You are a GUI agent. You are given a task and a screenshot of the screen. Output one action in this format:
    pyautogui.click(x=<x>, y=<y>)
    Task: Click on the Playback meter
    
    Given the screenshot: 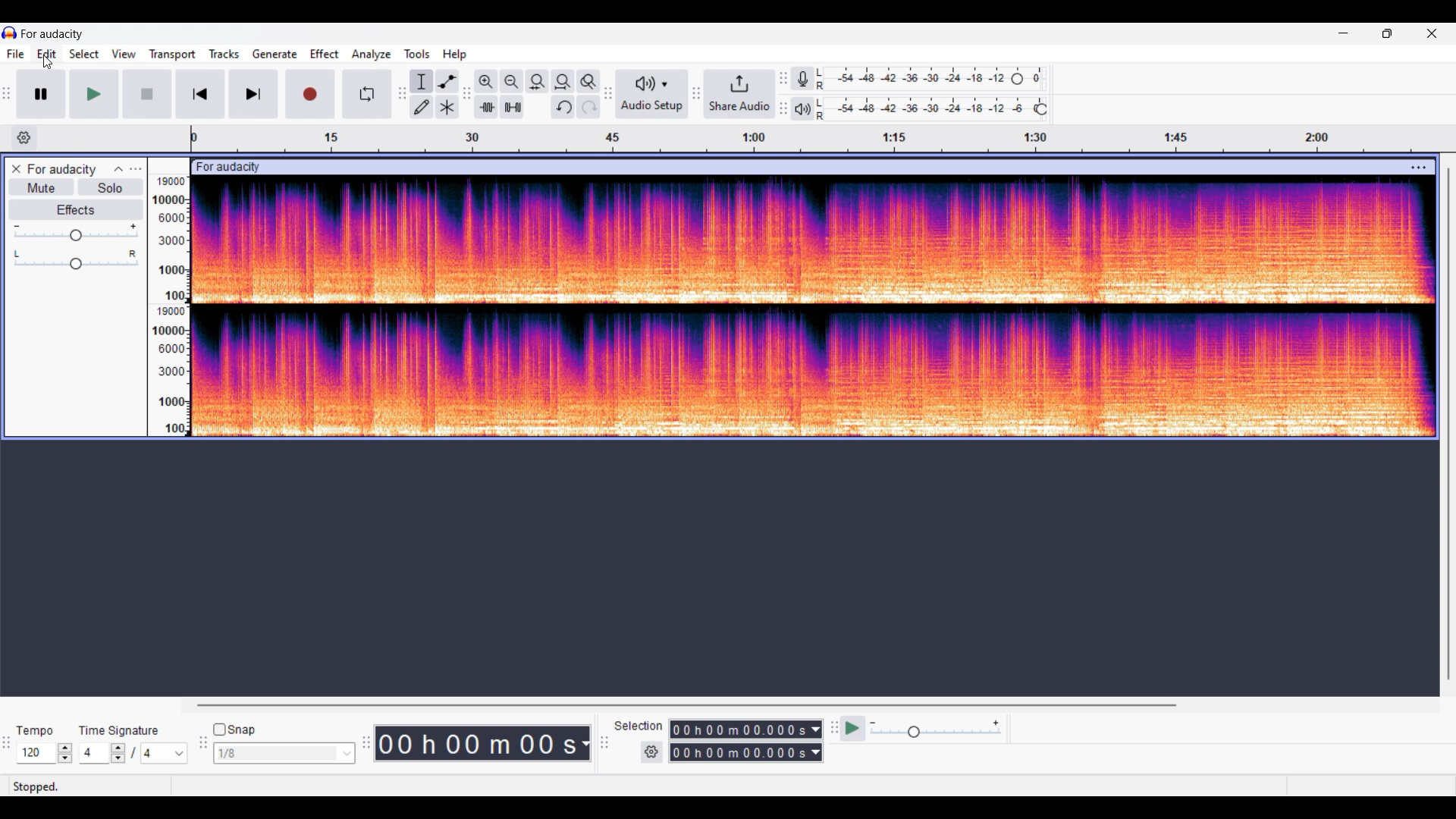 What is the action you would take?
    pyautogui.click(x=803, y=108)
    